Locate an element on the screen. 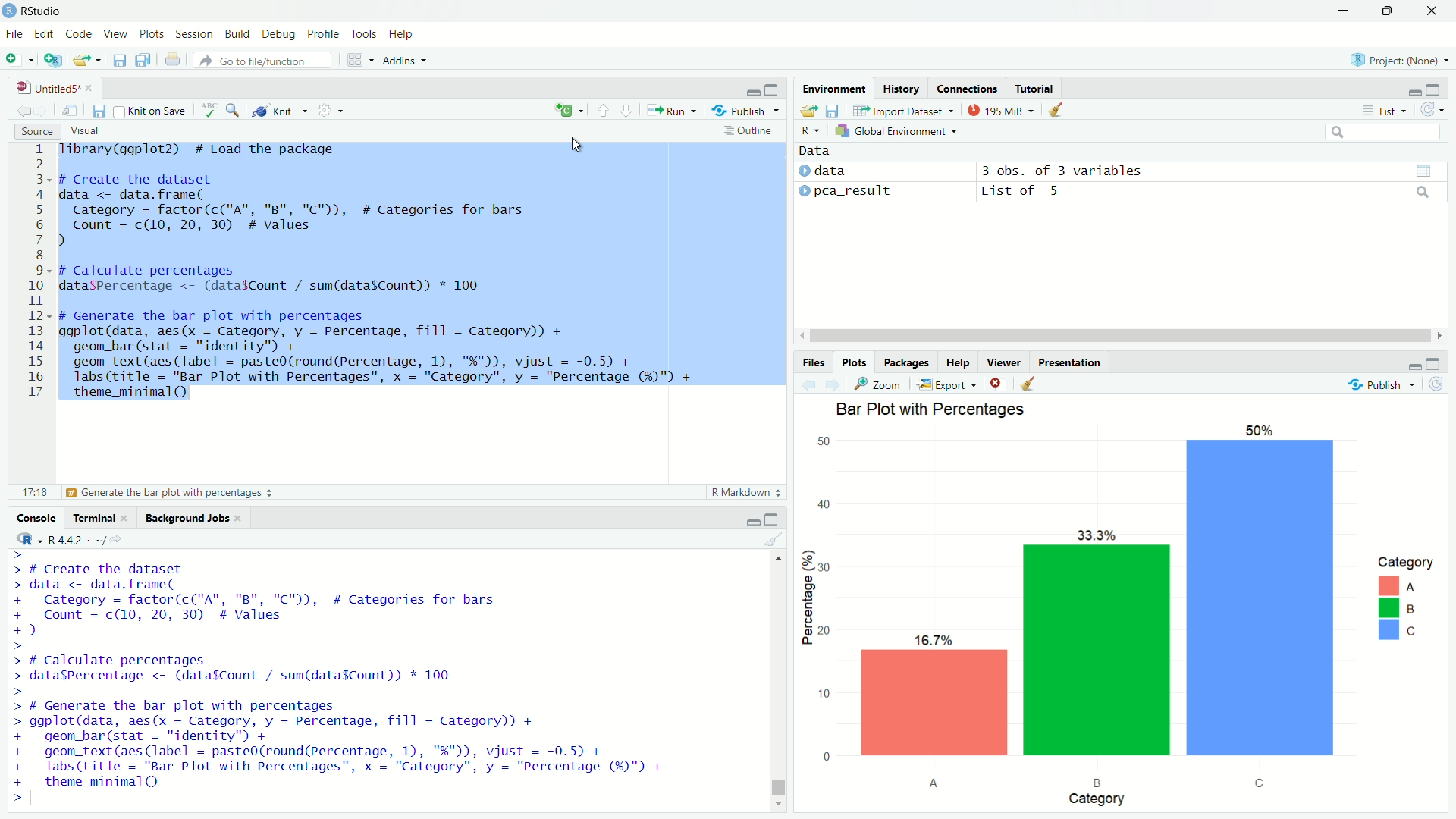 The image size is (1456, 819). outline is located at coordinates (748, 133).